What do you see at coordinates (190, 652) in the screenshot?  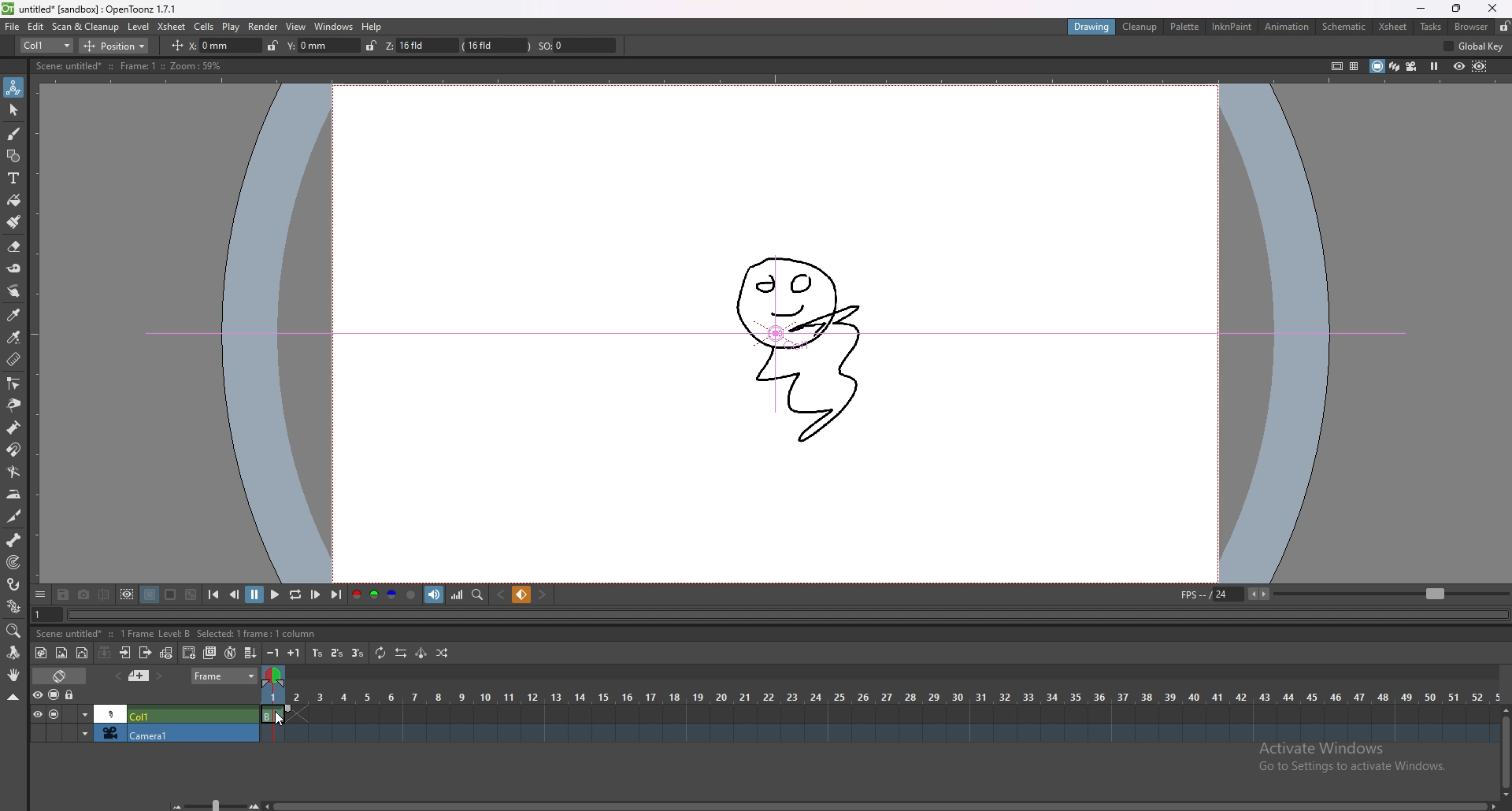 I see `create blank drawing` at bounding box center [190, 652].